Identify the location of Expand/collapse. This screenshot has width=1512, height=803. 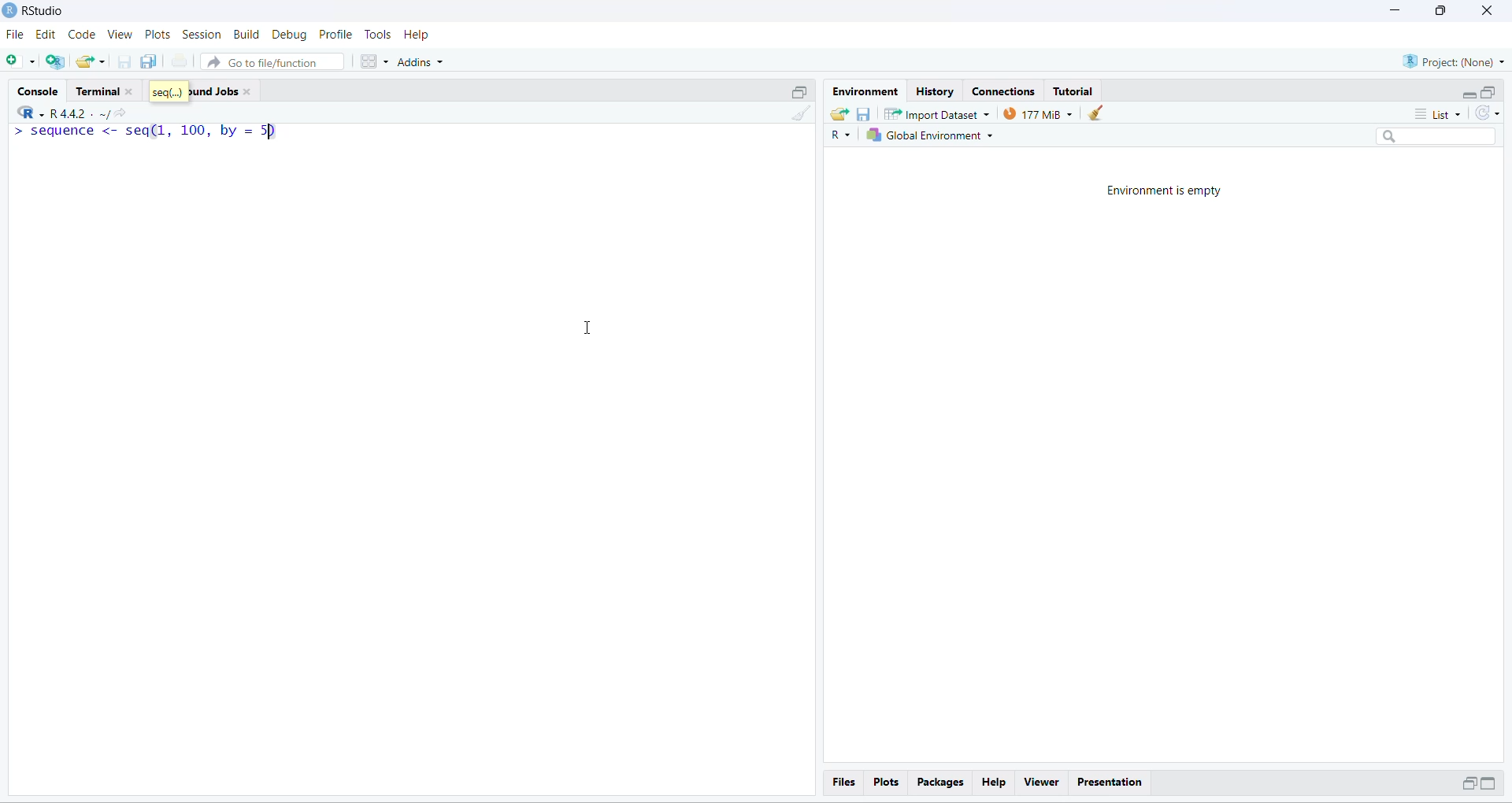
(1468, 94).